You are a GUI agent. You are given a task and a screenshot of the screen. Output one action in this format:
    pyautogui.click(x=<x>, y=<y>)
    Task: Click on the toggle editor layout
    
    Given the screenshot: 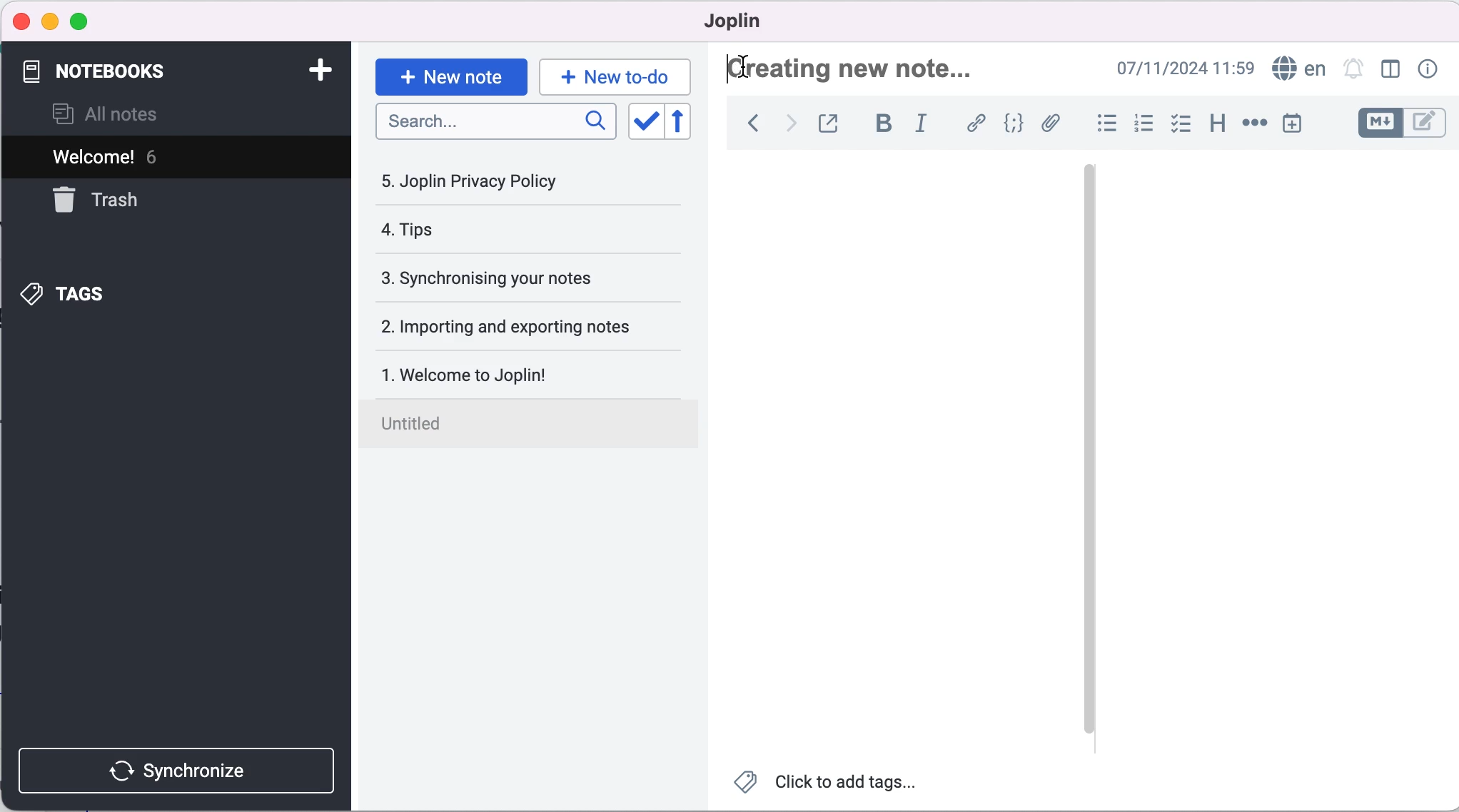 What is the action you would take?
    pyautogui.click(x=1390, y=70)
    